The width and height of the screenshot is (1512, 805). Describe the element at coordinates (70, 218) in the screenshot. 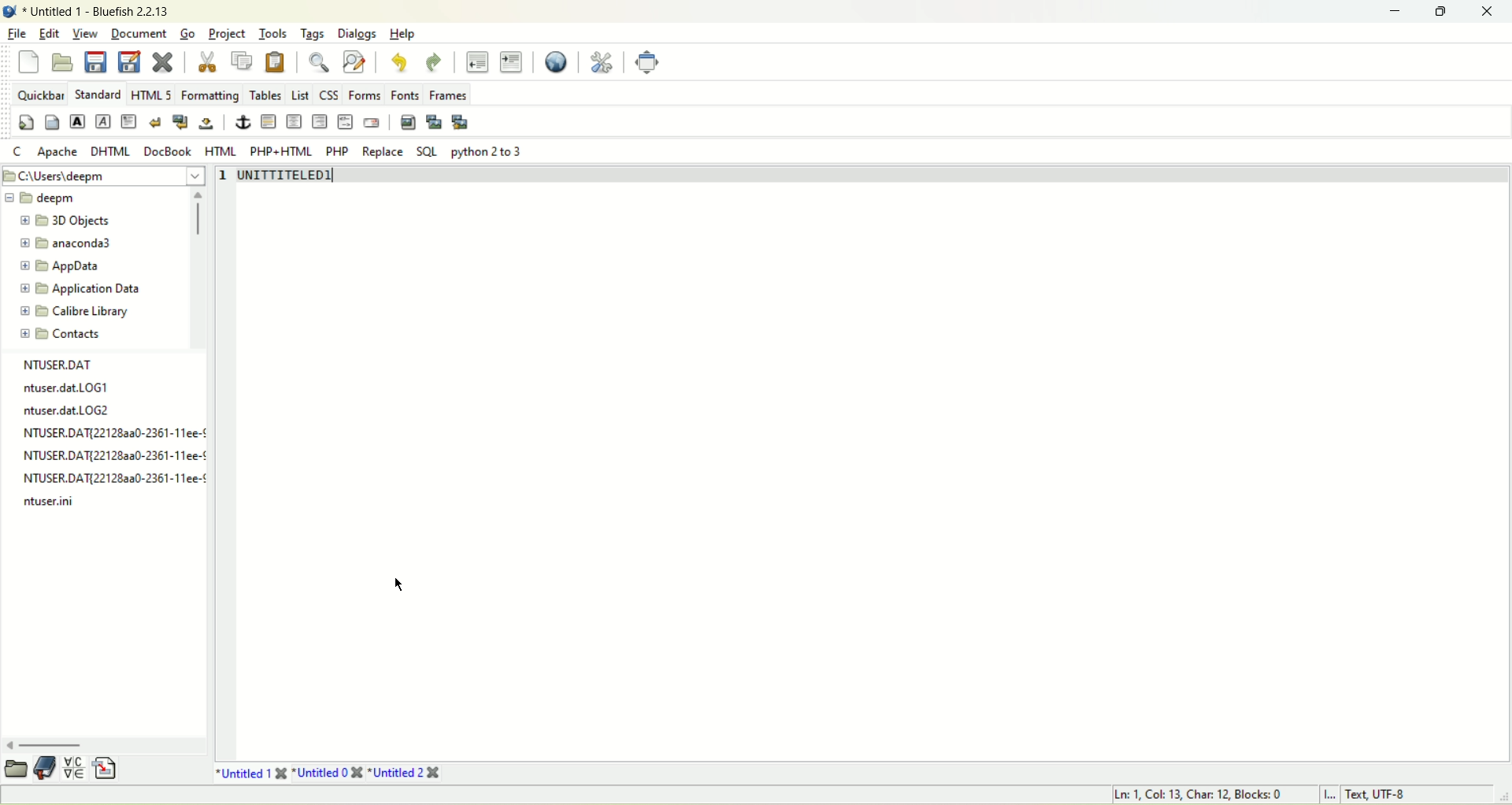

I see `3D objects` at that location.